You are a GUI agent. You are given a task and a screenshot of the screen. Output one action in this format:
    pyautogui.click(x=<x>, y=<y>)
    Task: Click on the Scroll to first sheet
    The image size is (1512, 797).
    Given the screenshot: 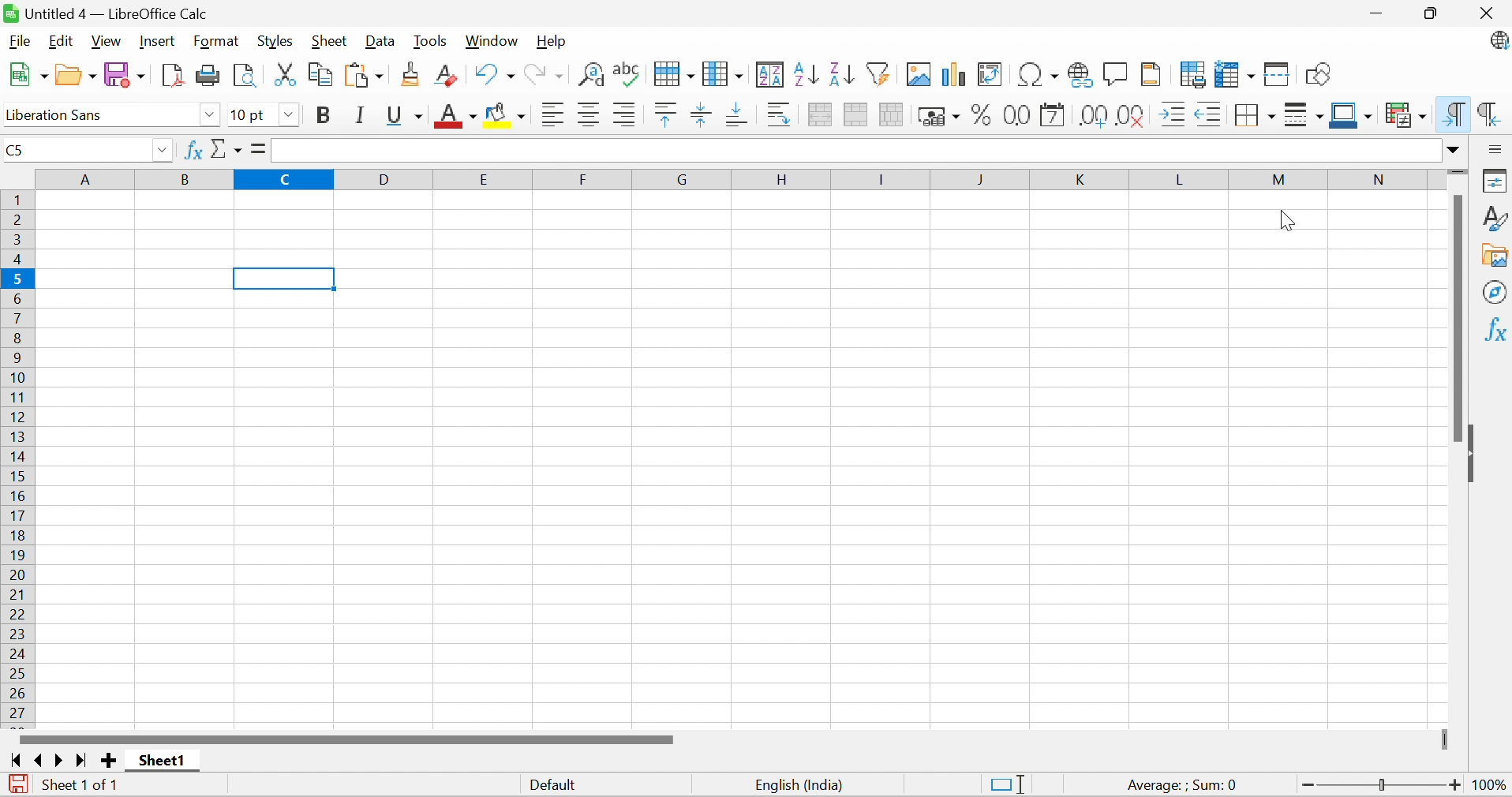 What is the action you would take?
    pyautogui.click(x=17, y=761)
    